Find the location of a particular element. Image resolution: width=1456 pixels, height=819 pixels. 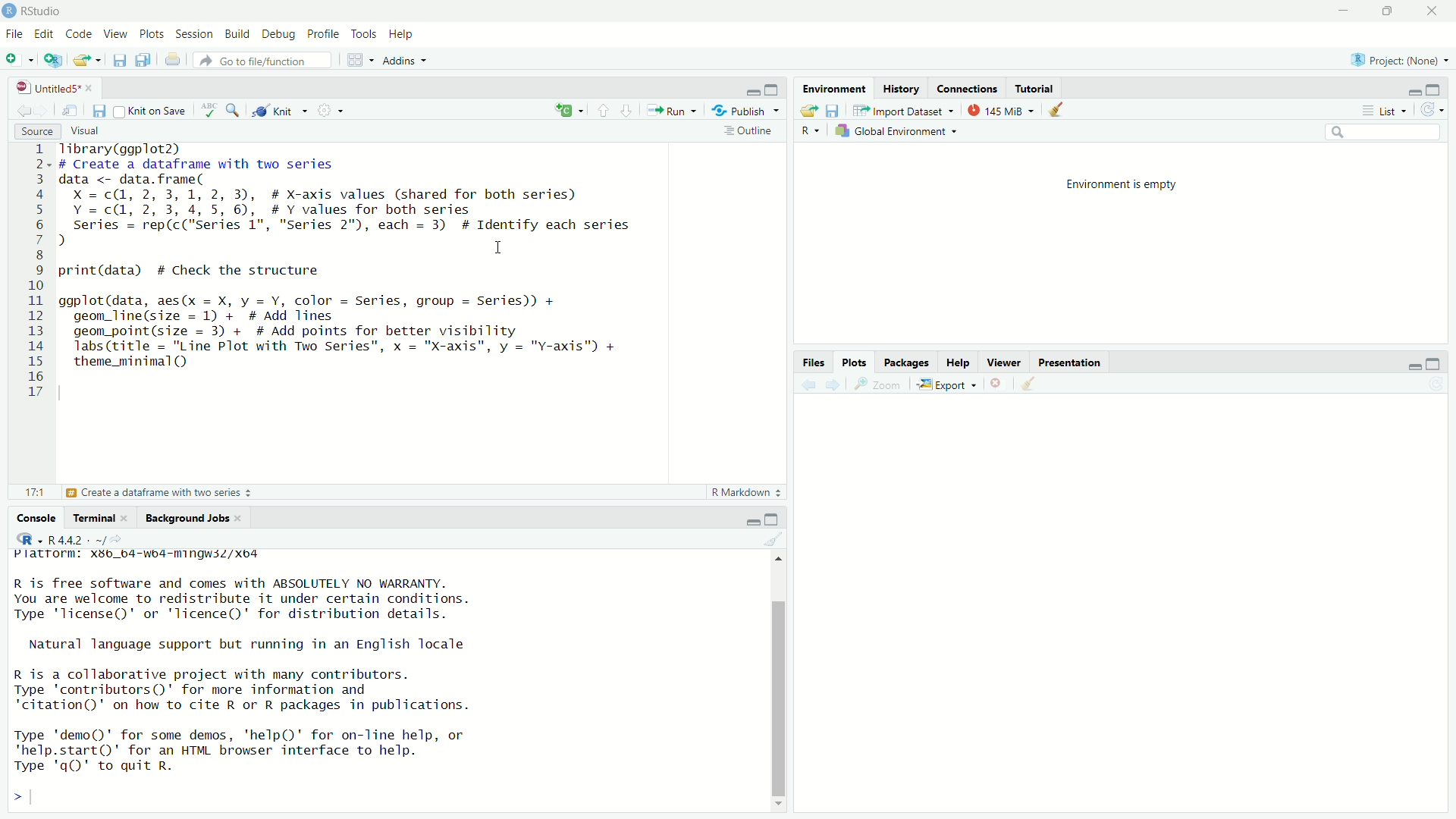

Load workspace is located at coordinates (809, 111).